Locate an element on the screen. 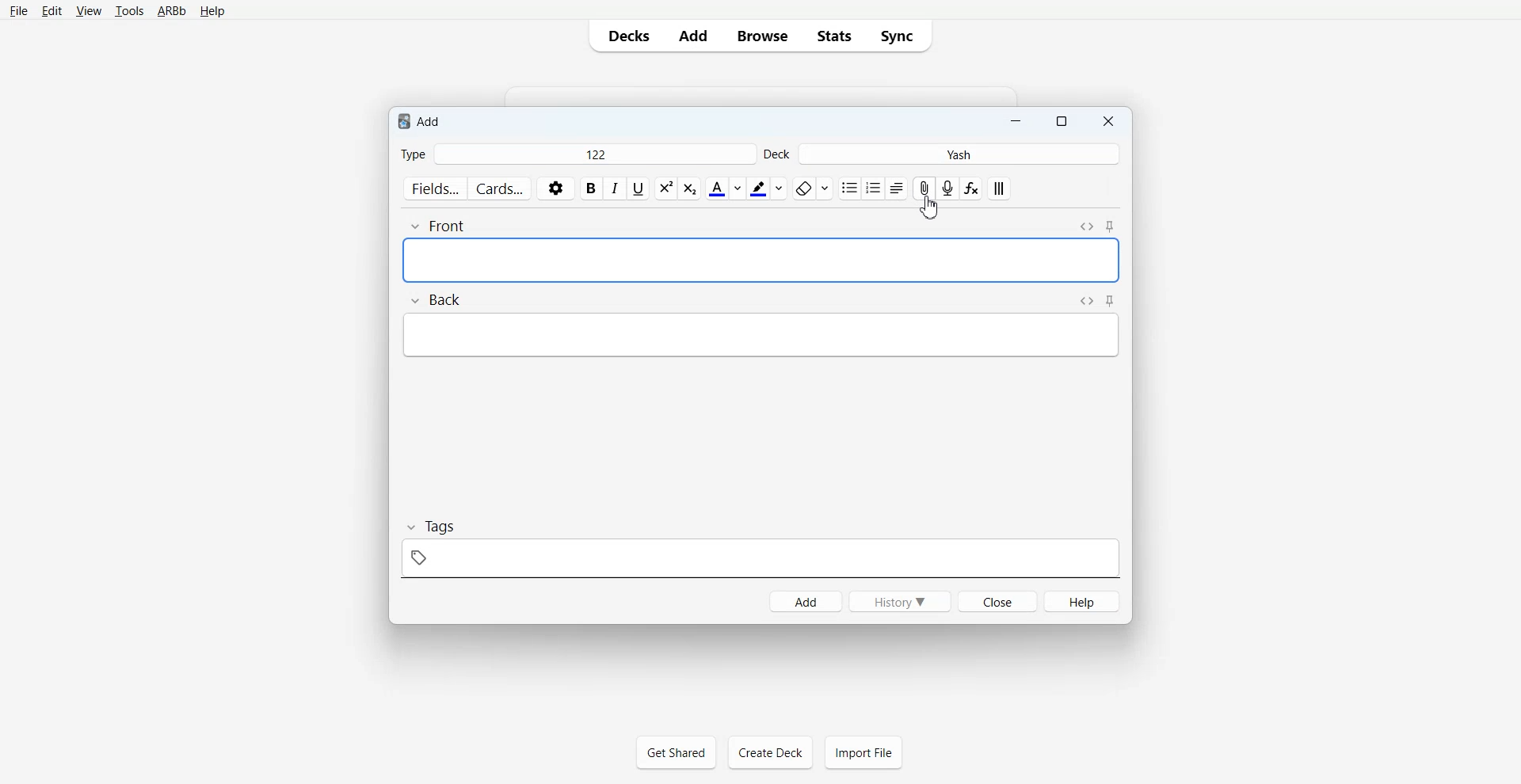 This screenshot has width=1521, height=784. Italic is located at coordinates (616, 188).